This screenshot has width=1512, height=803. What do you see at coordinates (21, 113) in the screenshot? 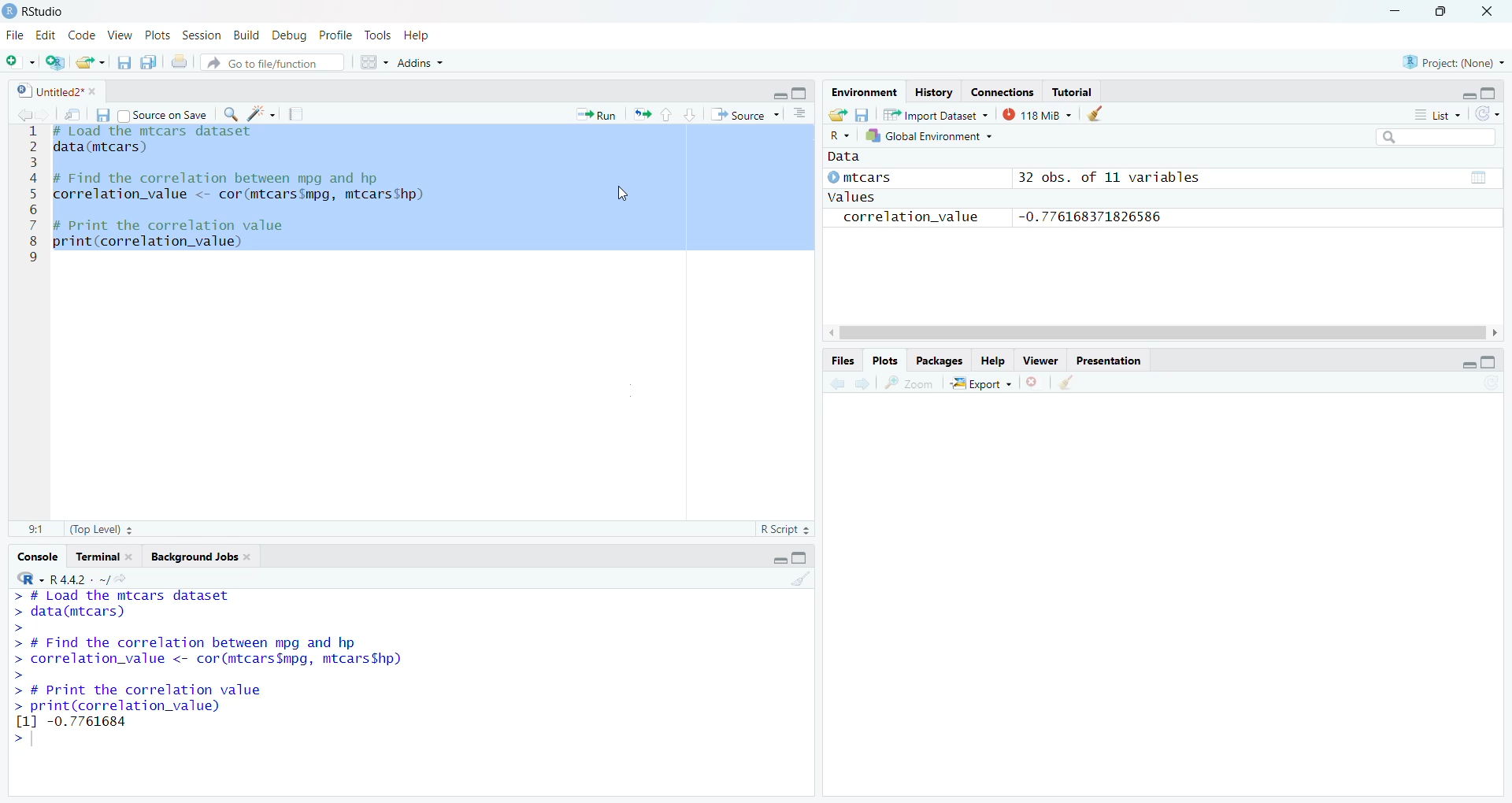
I see `Go back to the previous source location (Ctrl + F9)` at bounding box center [21, 113].